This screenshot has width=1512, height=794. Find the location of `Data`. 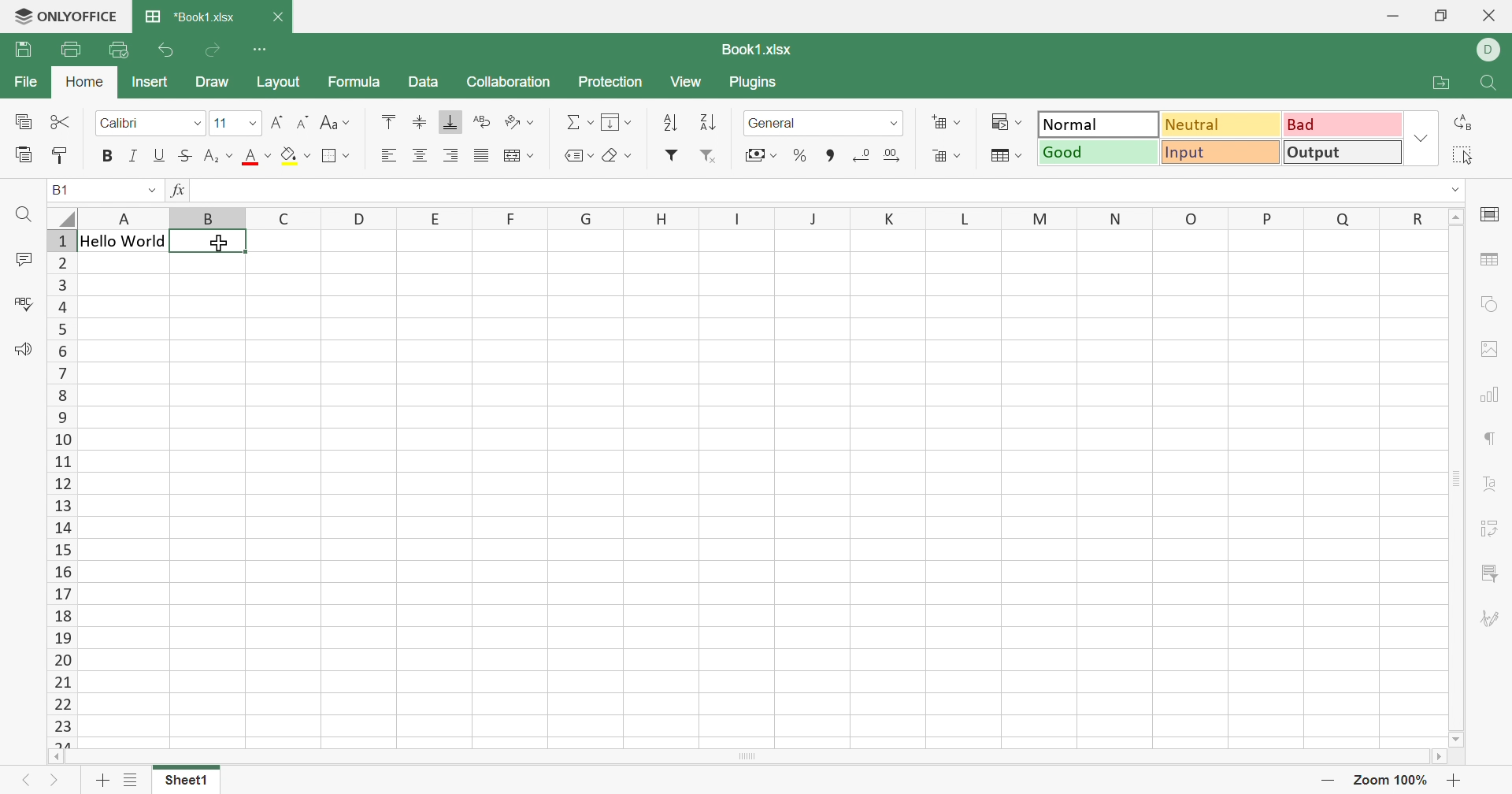

Data is located at coordinates (423, 82).